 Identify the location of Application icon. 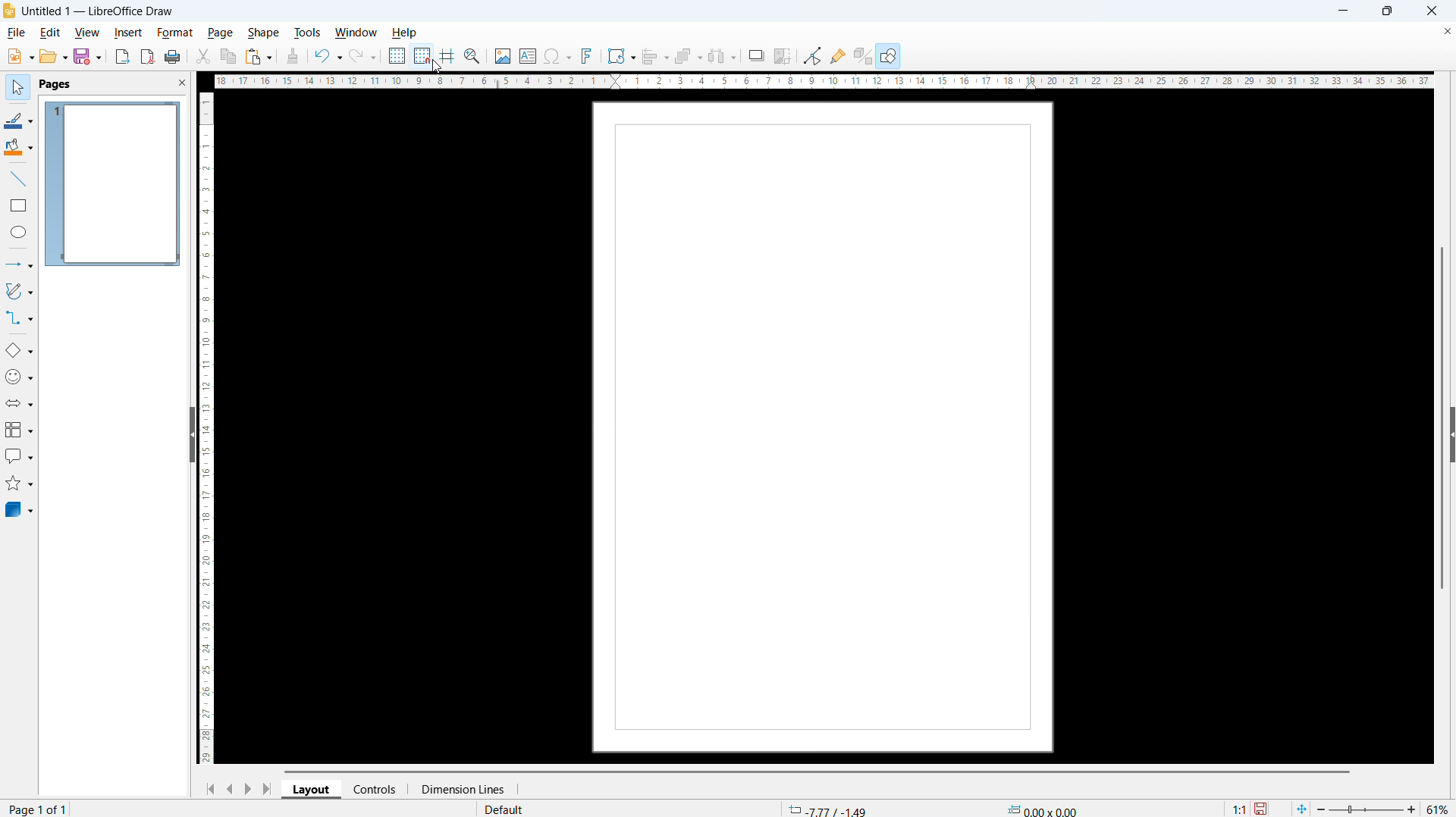
(9, 11).